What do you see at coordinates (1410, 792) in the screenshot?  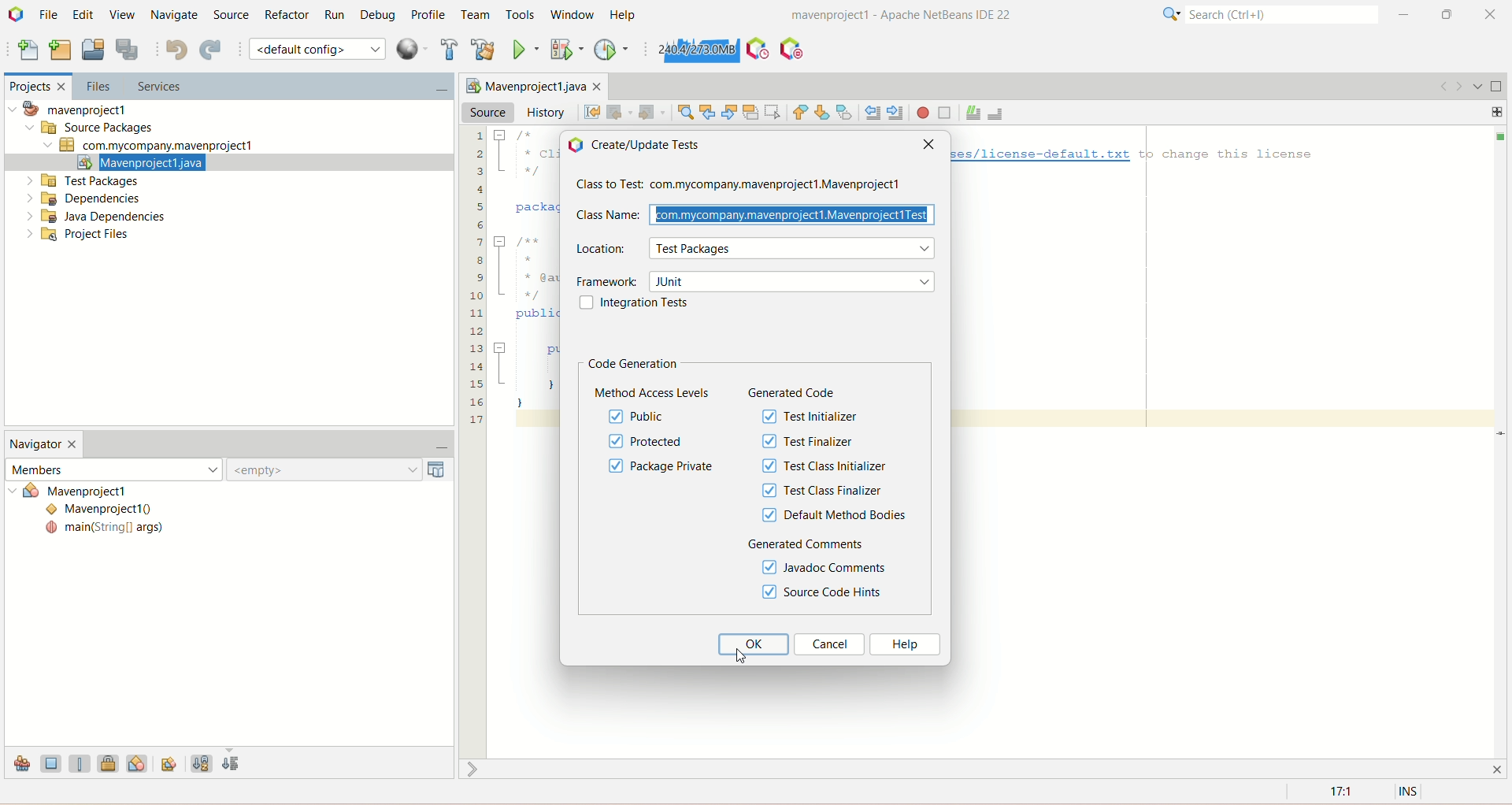 I see `INS` at bounding box center [1410, 792].